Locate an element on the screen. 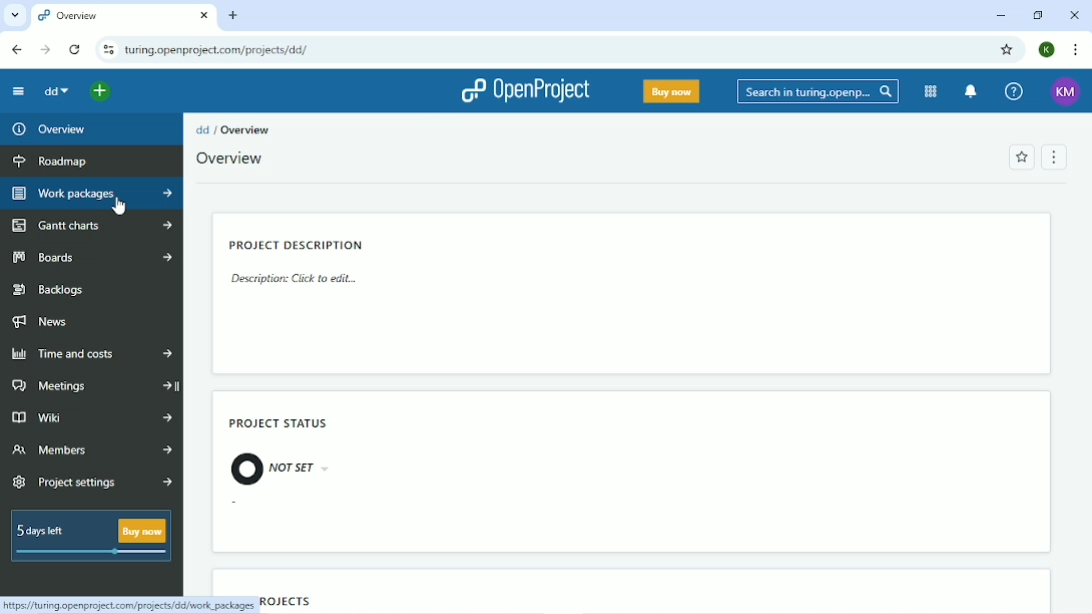 The height and width of the screenshot is (614, 1092). Account is located at coordinates (1066, 92).